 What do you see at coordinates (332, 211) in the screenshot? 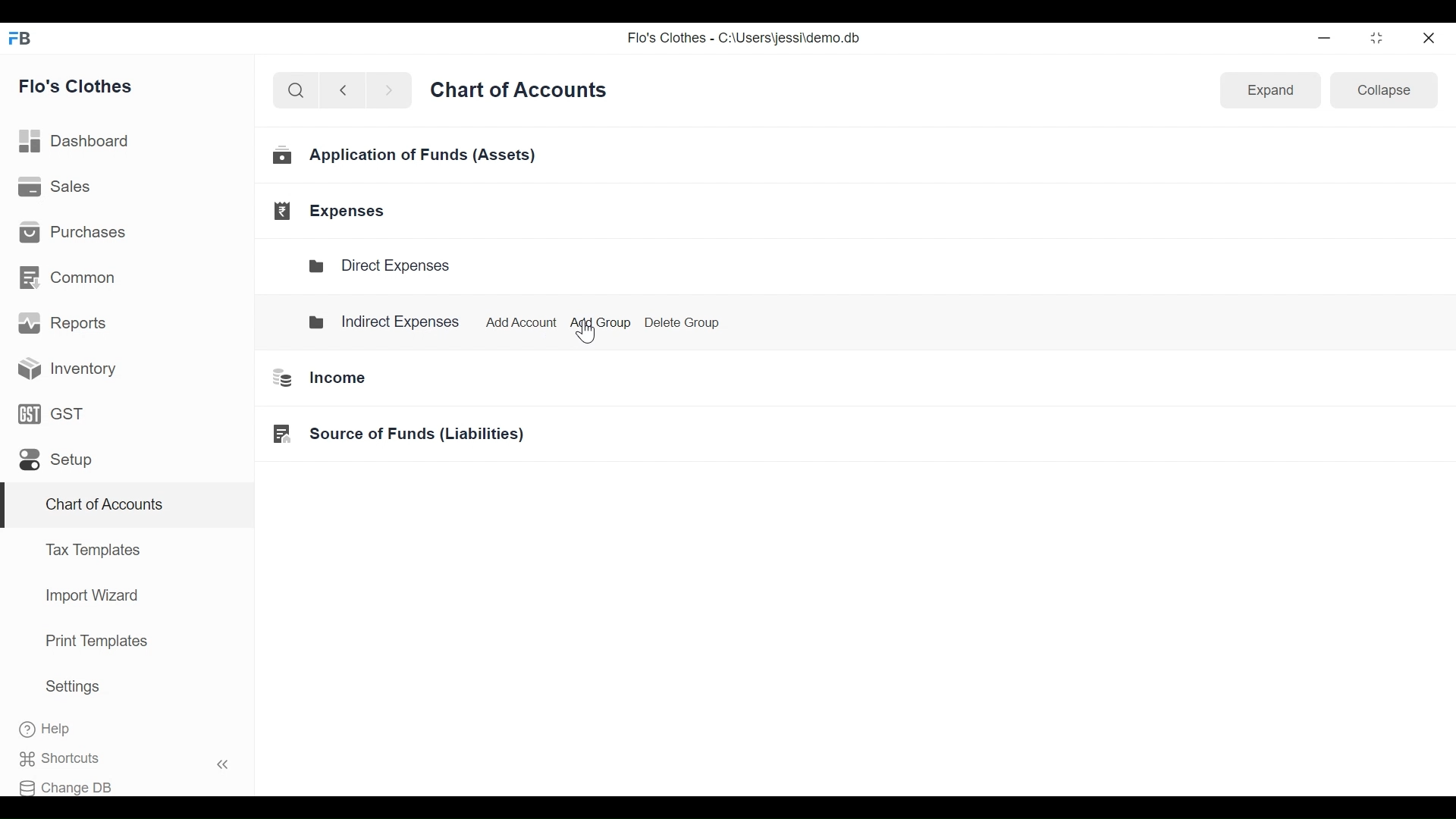
I see `Expenses` at bounding box center [332, 211].